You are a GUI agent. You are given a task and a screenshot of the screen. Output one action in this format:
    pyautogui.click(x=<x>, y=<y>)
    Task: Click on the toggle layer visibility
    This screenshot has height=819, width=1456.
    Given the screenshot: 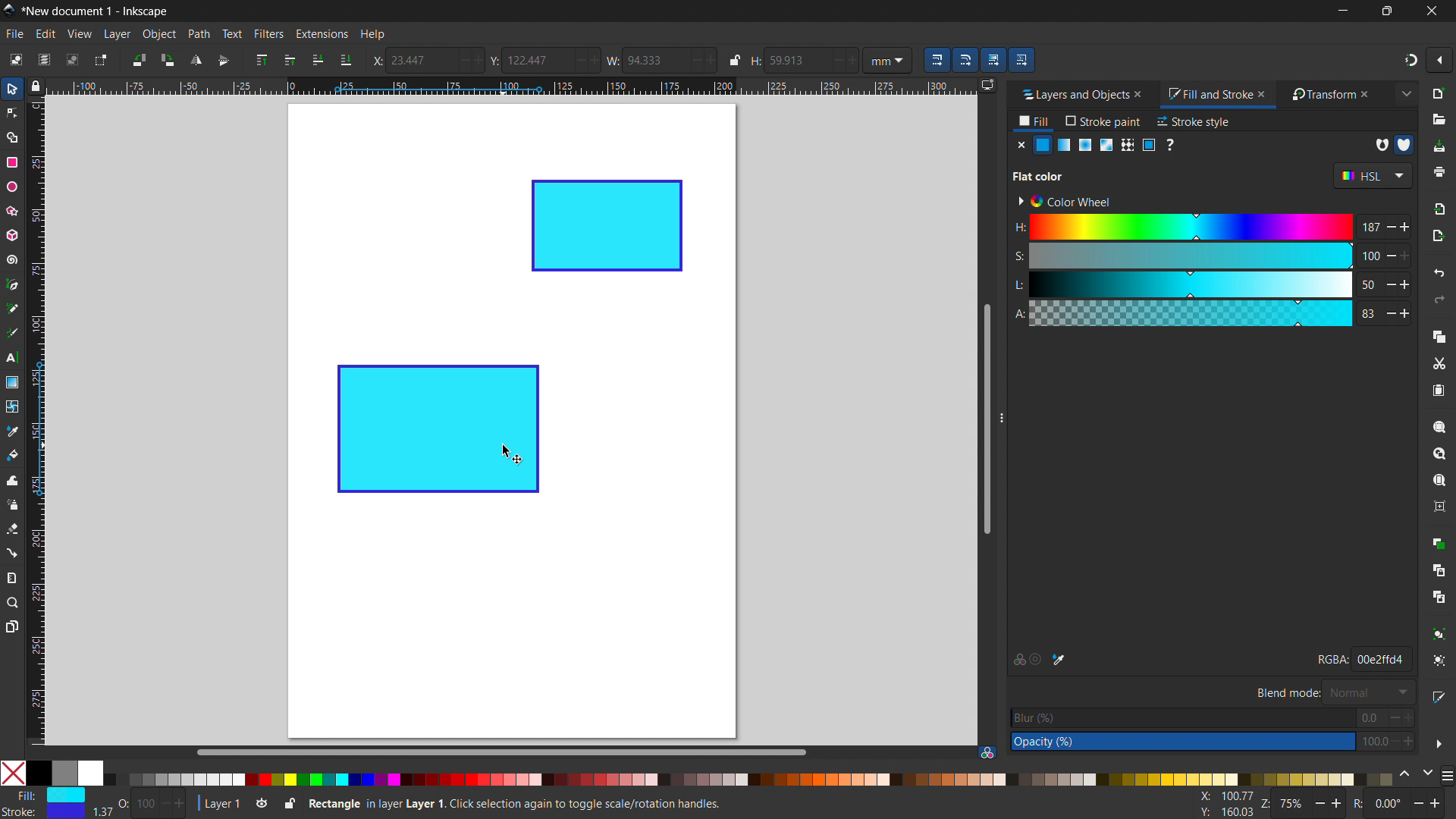 What is the action you would take?
    pyautogui.click(x=262, y=805)
    